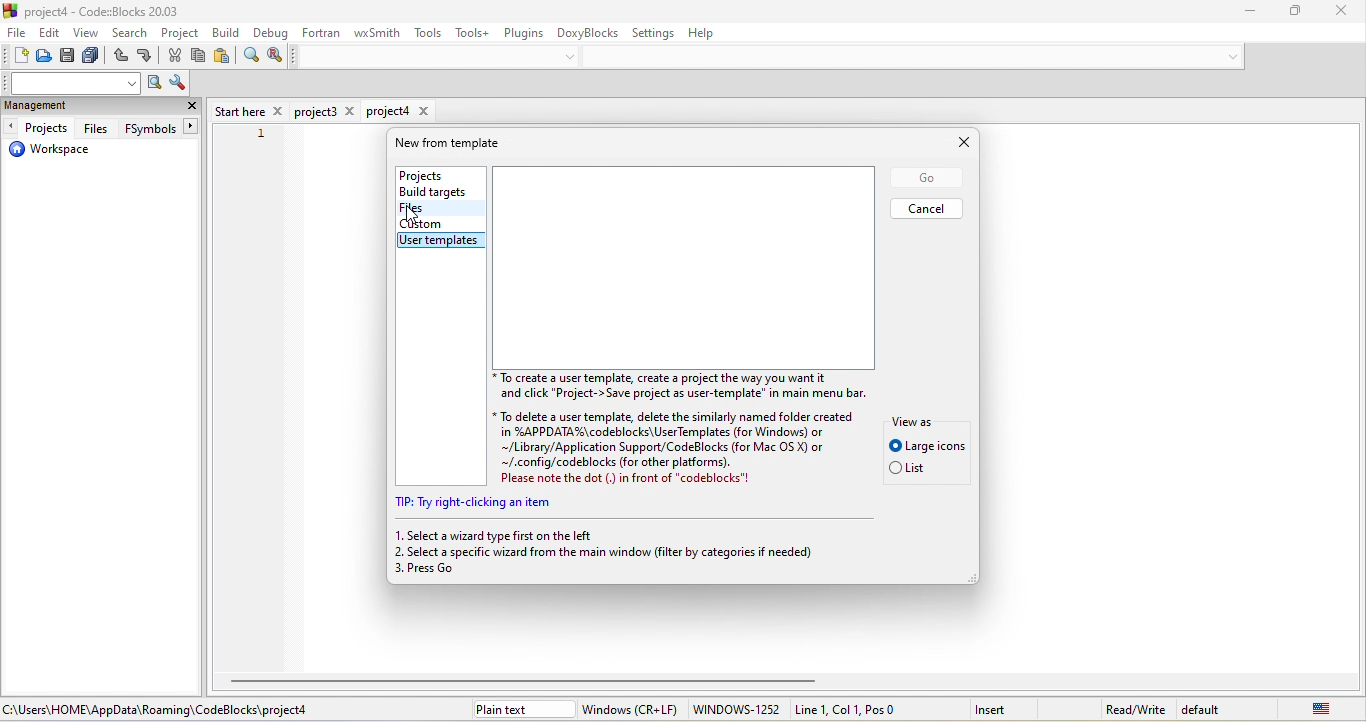 The width and height of the screenshot is (1366, 722). Describe the element at coordinates (177, 84) in the screenshot. I see `show option window` at that location.